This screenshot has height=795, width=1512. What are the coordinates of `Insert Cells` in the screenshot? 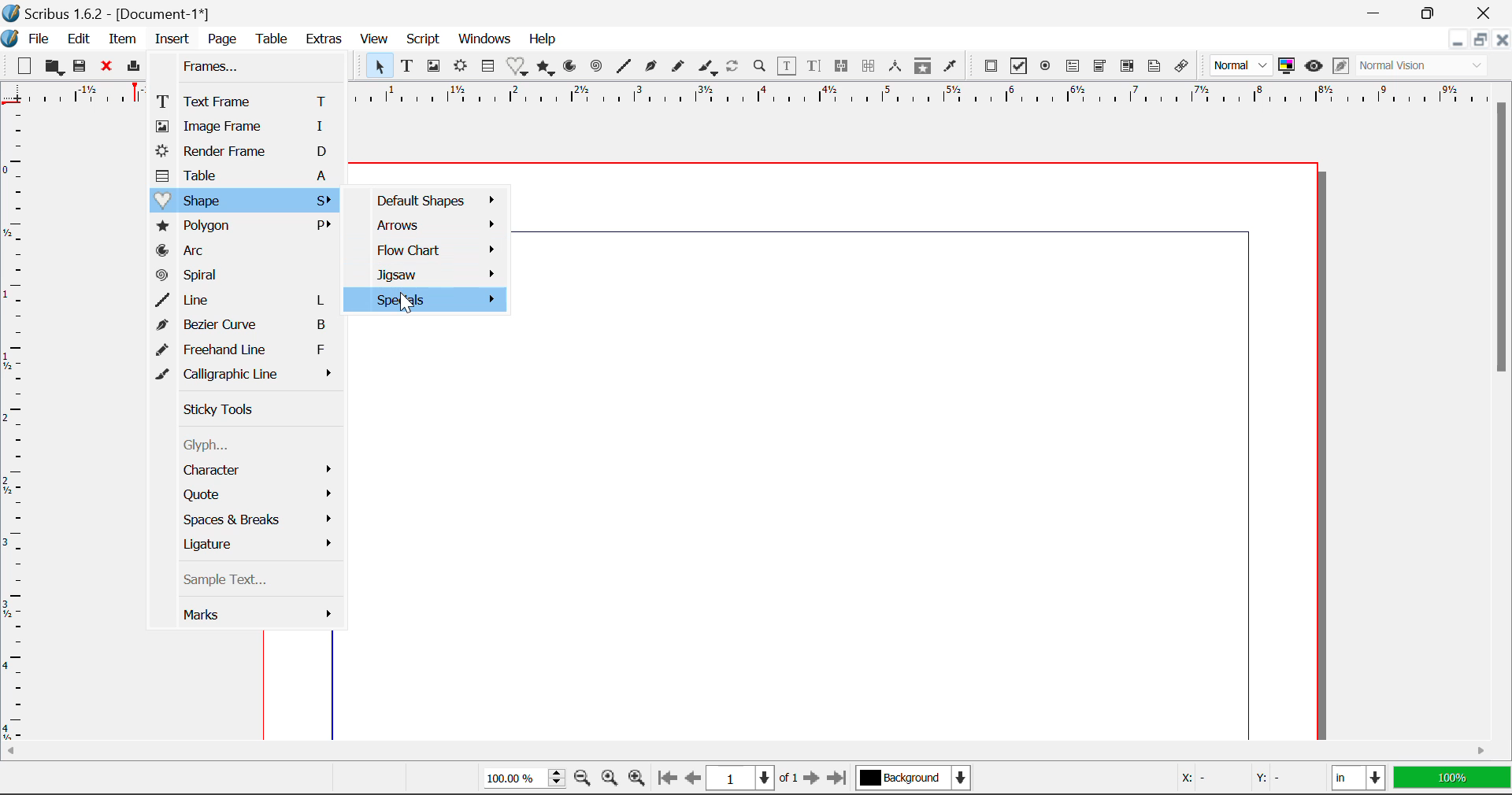 It's located at (487, 68).